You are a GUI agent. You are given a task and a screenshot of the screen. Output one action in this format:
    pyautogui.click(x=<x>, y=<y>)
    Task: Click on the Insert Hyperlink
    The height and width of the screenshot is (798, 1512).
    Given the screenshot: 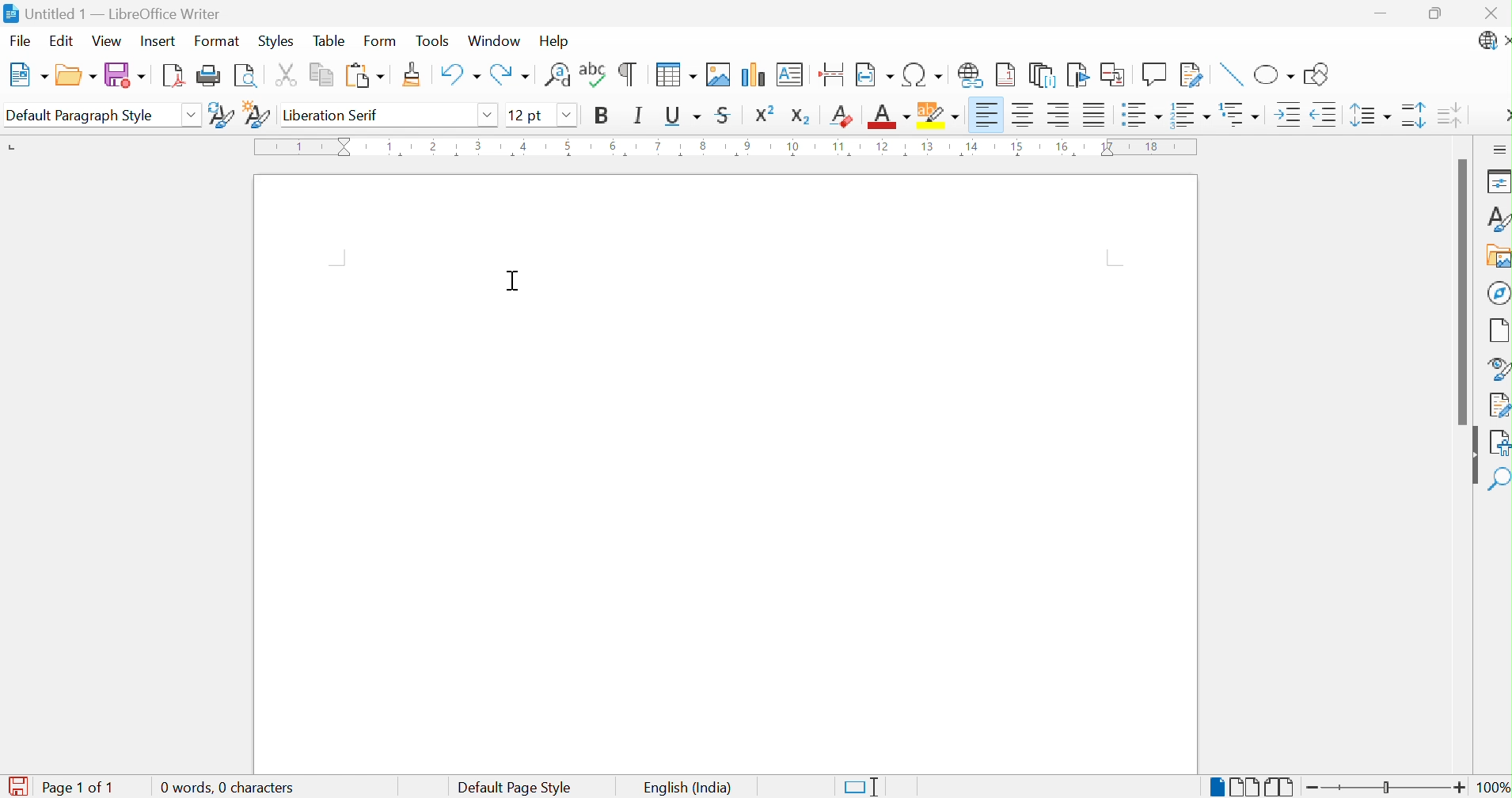 What is the action you would take?
    pyautogui.click(x=971, y=76)
    